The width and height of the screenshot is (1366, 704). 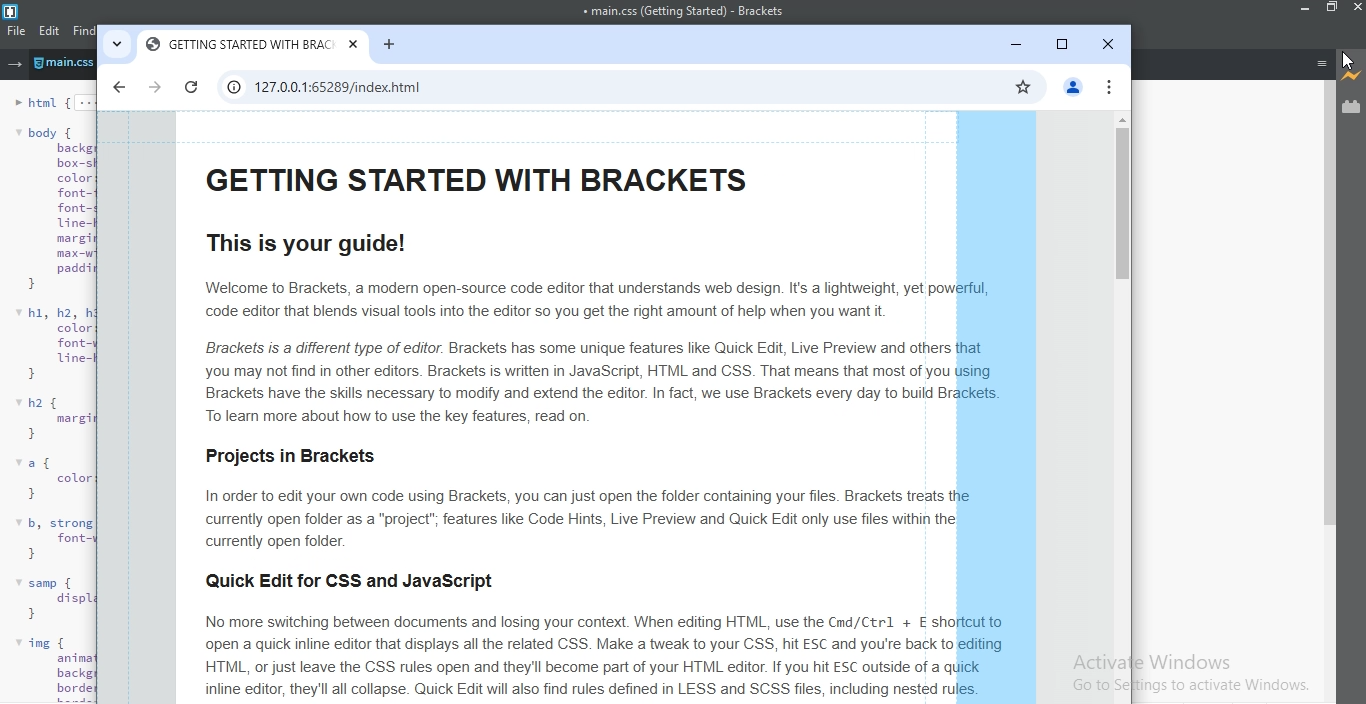 What do you see at coordinates (13, 9) in the screenshot?
I see `logo` at bounding box center [13, 9].